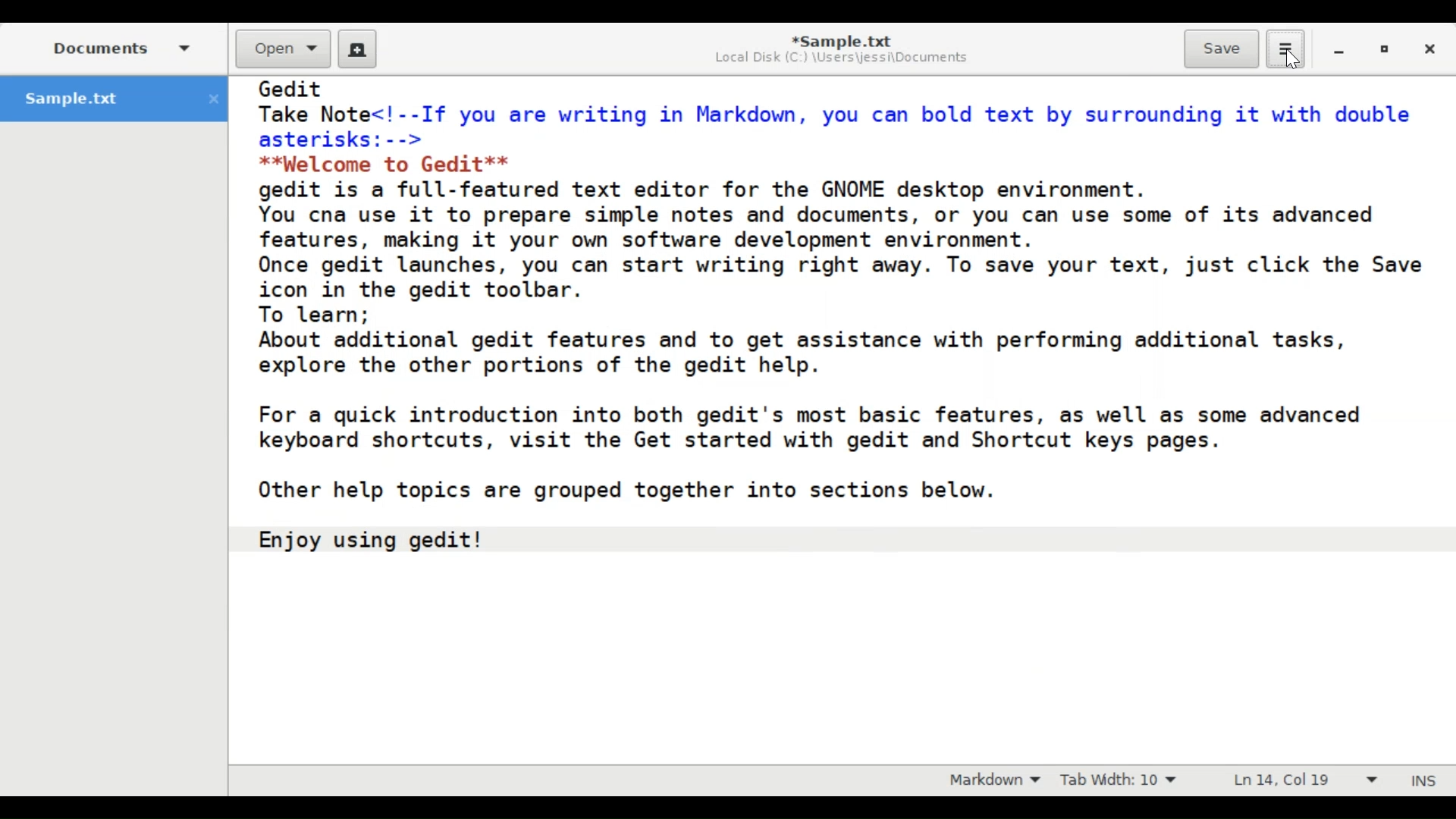 This screenshot has height=819, width=1456. I want to click on *Sample.txt, so click(841, 40).